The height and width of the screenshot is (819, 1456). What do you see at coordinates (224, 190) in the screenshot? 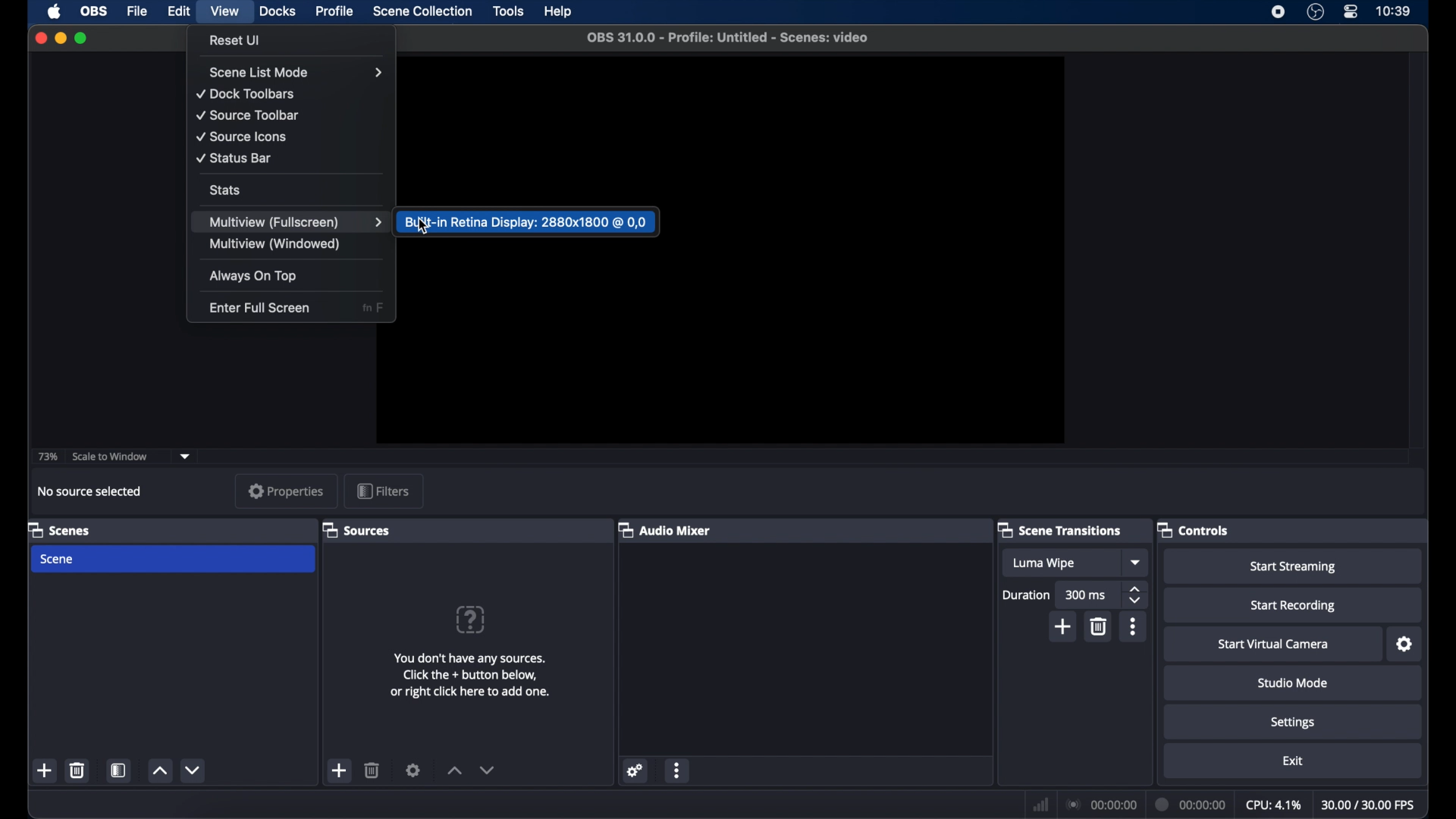
I see `stats` at bounding box center [224, 190].